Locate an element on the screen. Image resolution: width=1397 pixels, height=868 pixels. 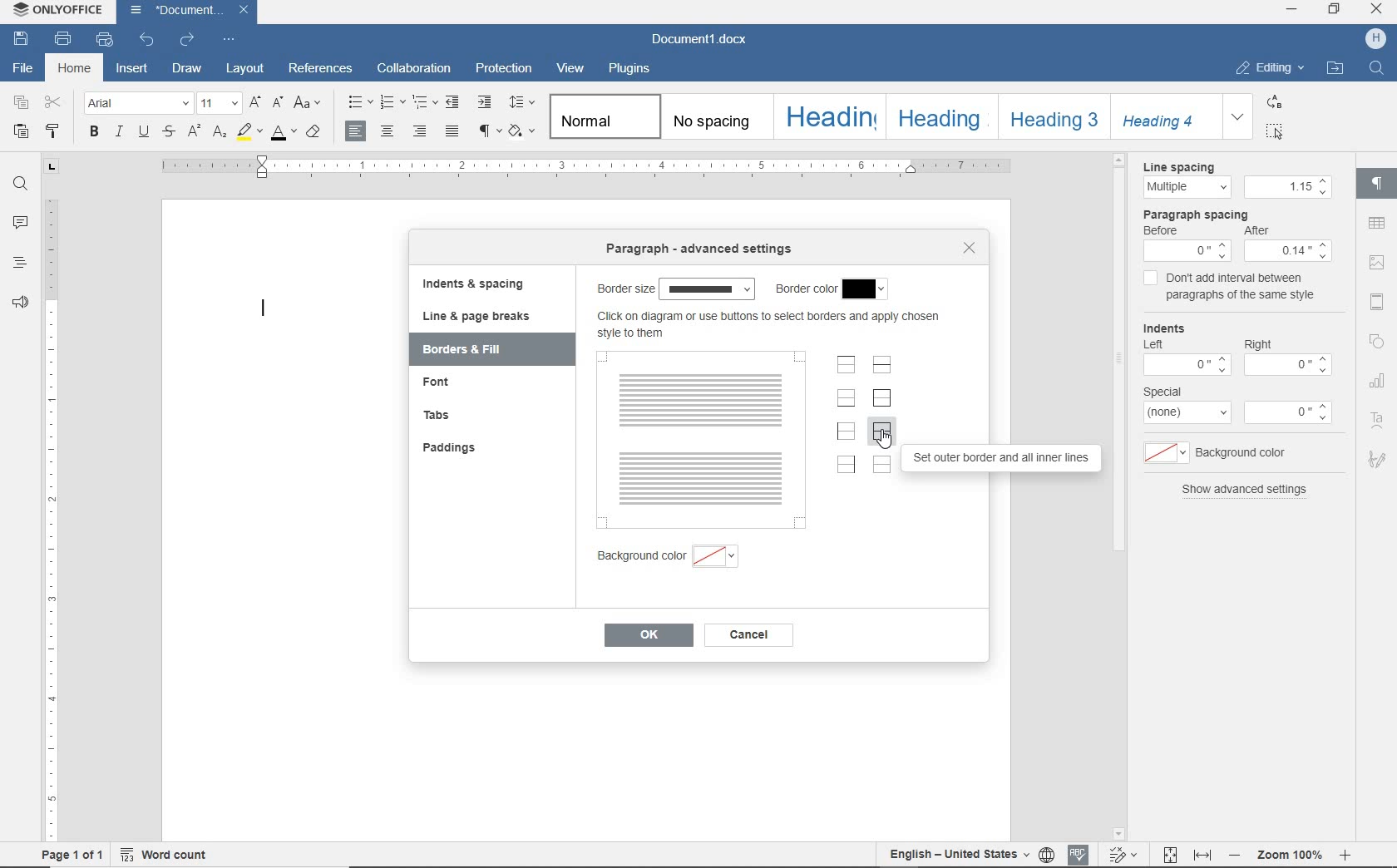
highlight color is located at coordinates (248, 133).